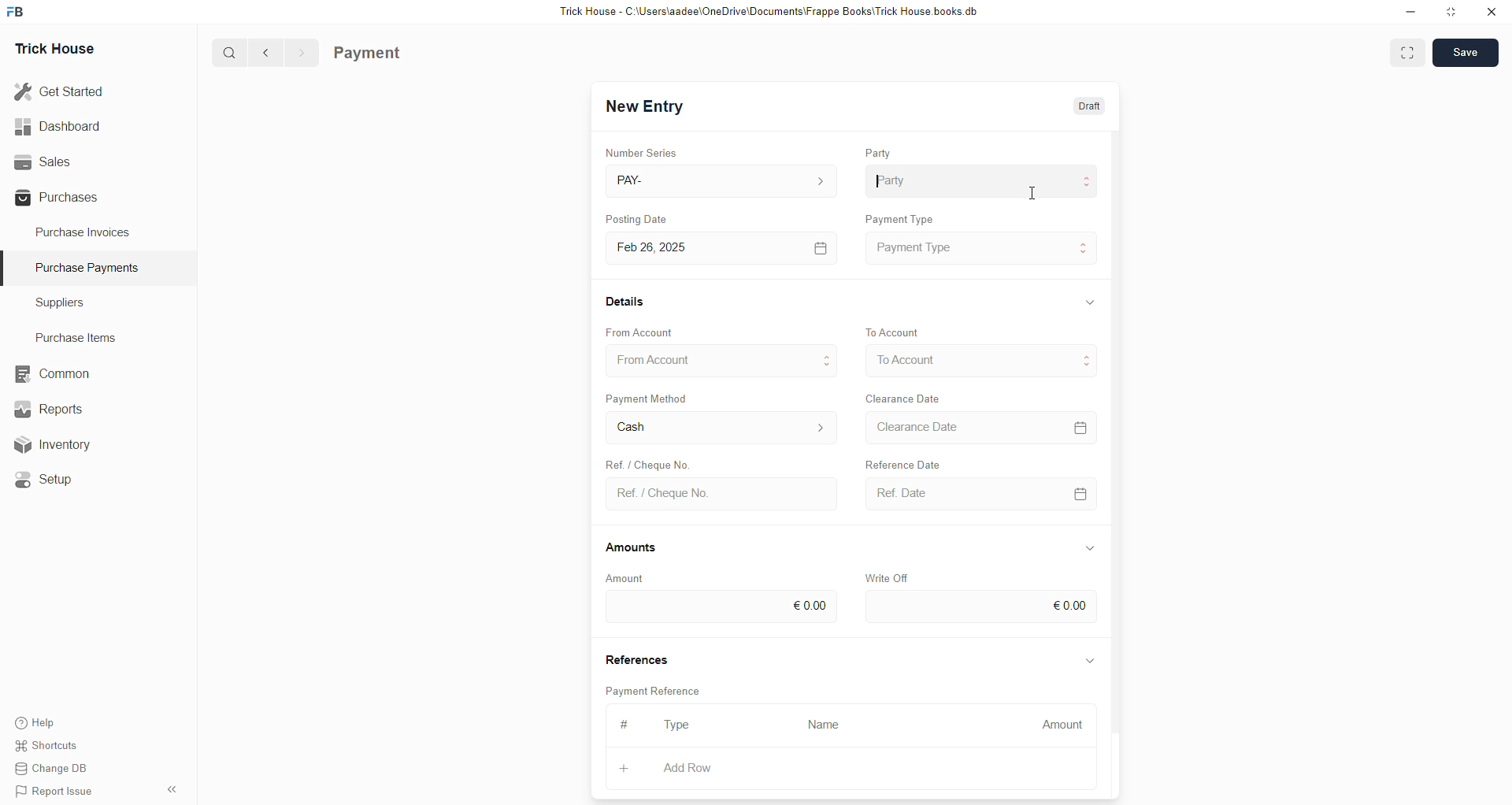  Describe the element at coordinates (625, 302) in the screenshot. I see `Details` at that location.